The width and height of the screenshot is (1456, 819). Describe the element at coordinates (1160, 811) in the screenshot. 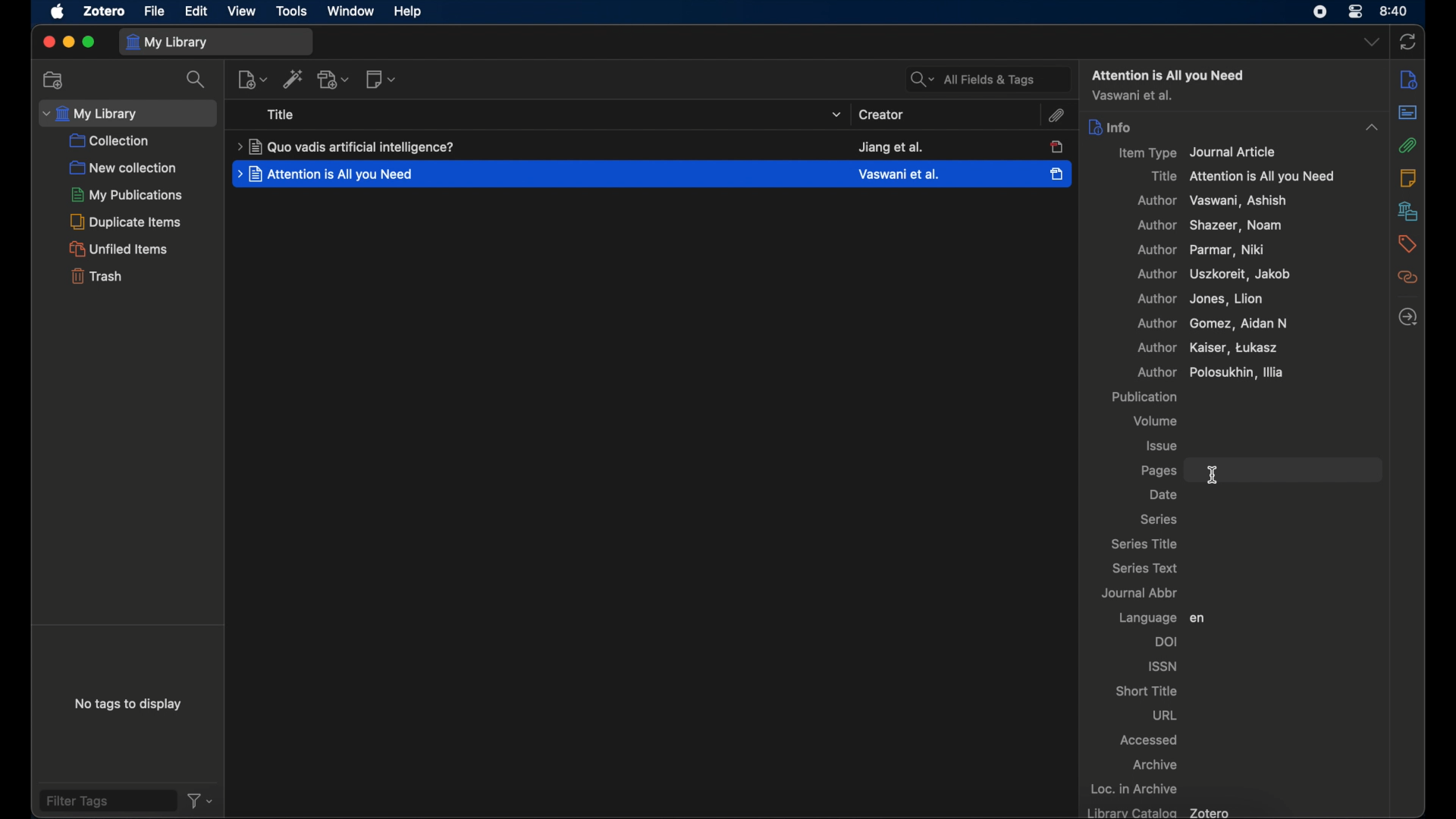

I see `library catalog zotero` at that location.